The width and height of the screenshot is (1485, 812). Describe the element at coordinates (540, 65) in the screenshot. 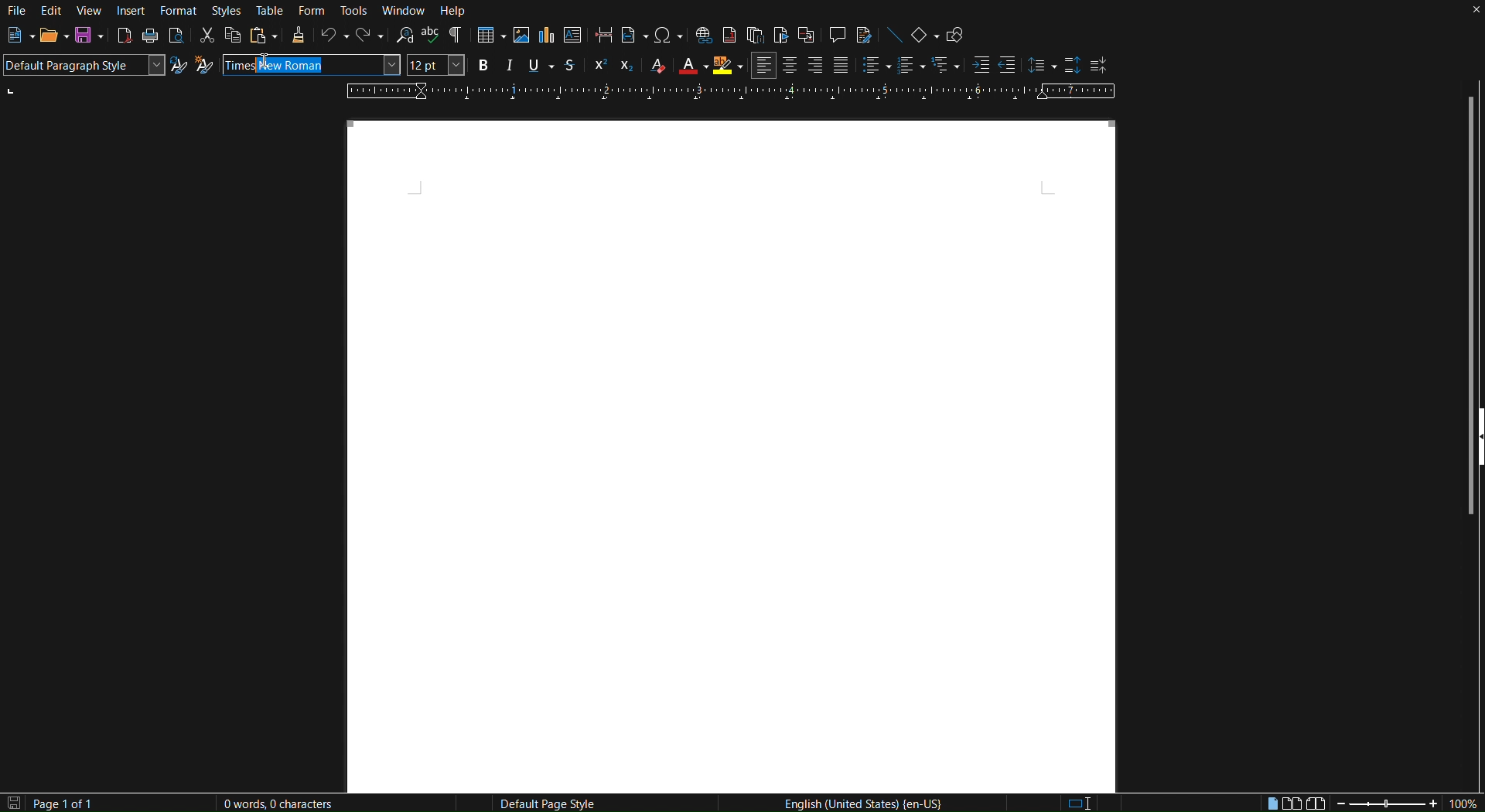

I see `Underline` at that location.